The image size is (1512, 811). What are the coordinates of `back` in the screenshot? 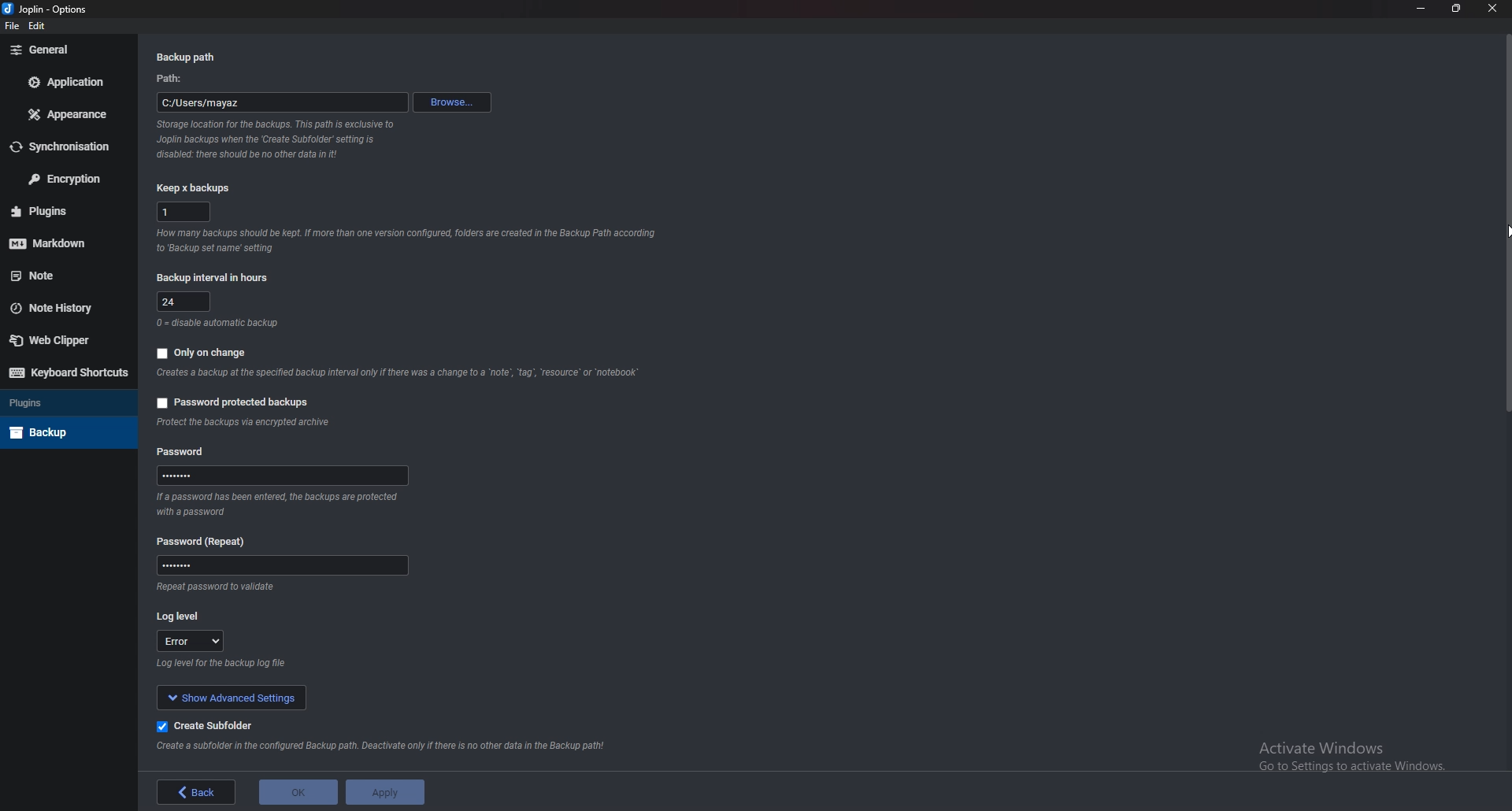 It's located at (197, 792).